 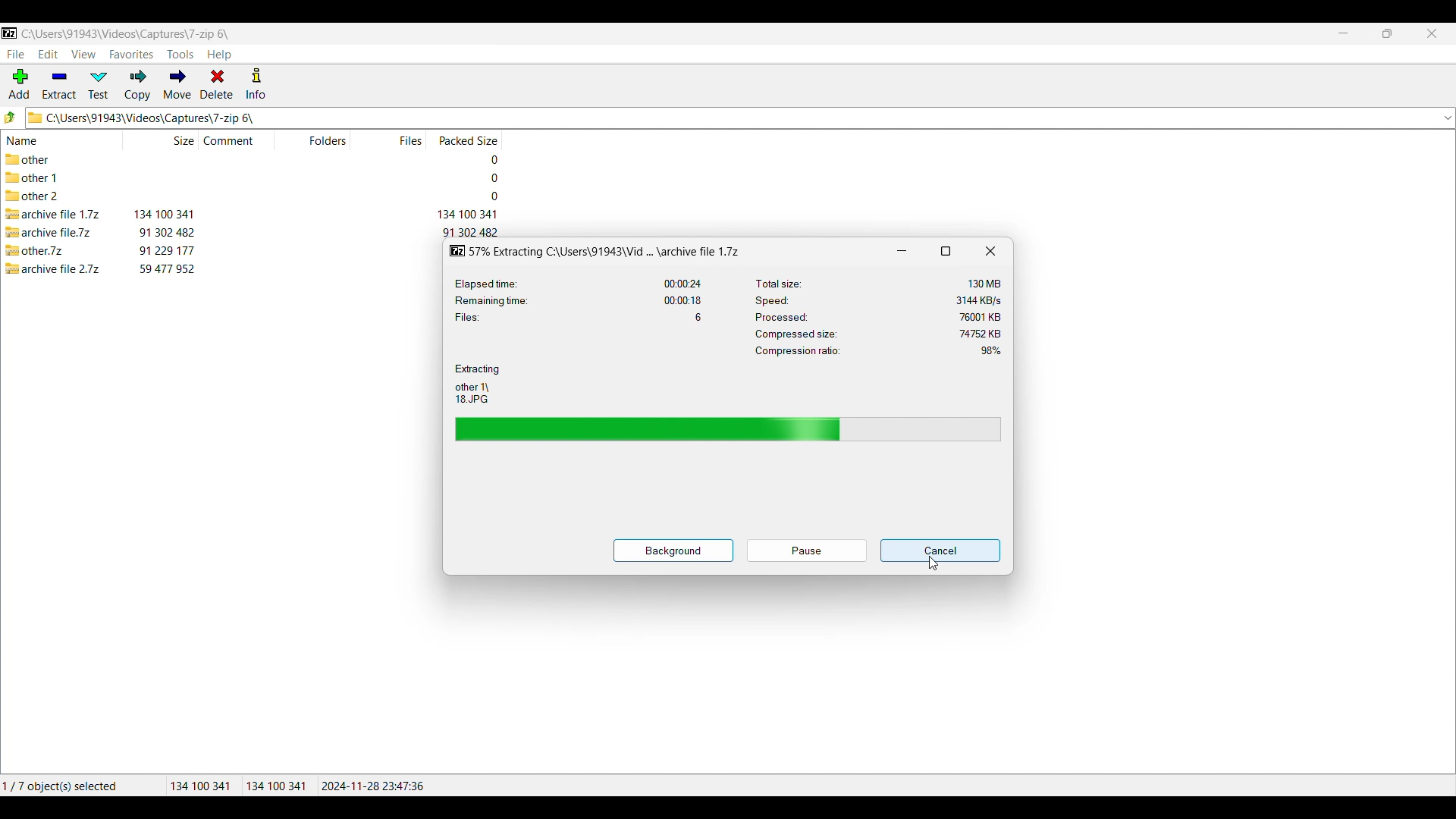 What do you see at coordinates (485, 158) in the screenshot?
I see `packed size` at bounding box center [485, 158].